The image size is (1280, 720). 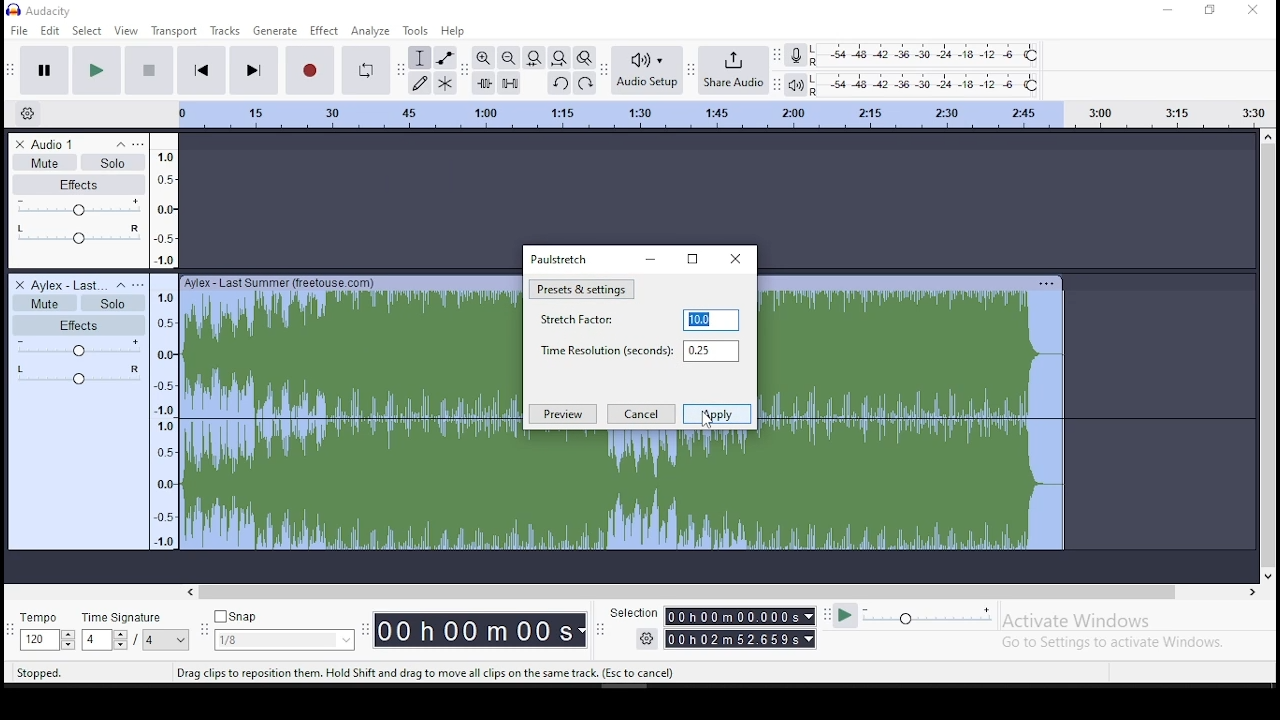 What do you see at coordinates (77, 242) in the screenshot?
I see `audio effect` at bounding box center [77, 242].